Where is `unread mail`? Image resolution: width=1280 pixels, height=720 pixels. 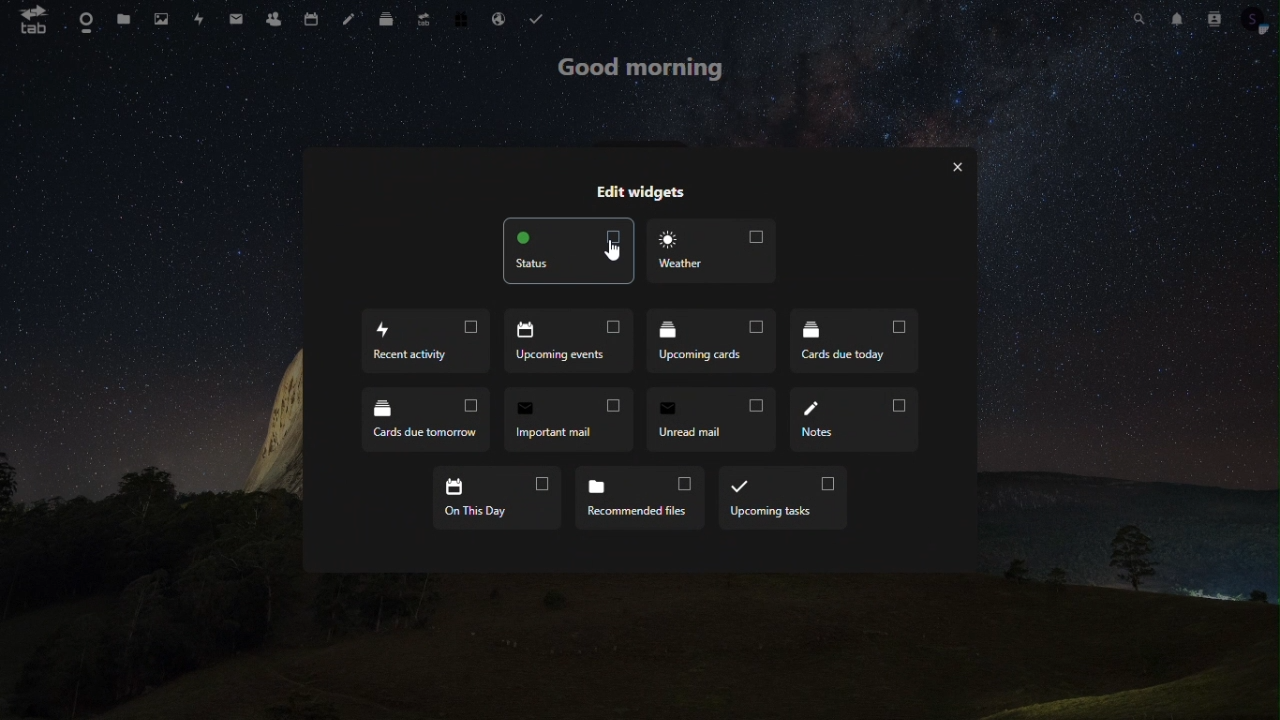 unread mail is located at coordinates (715, 420).